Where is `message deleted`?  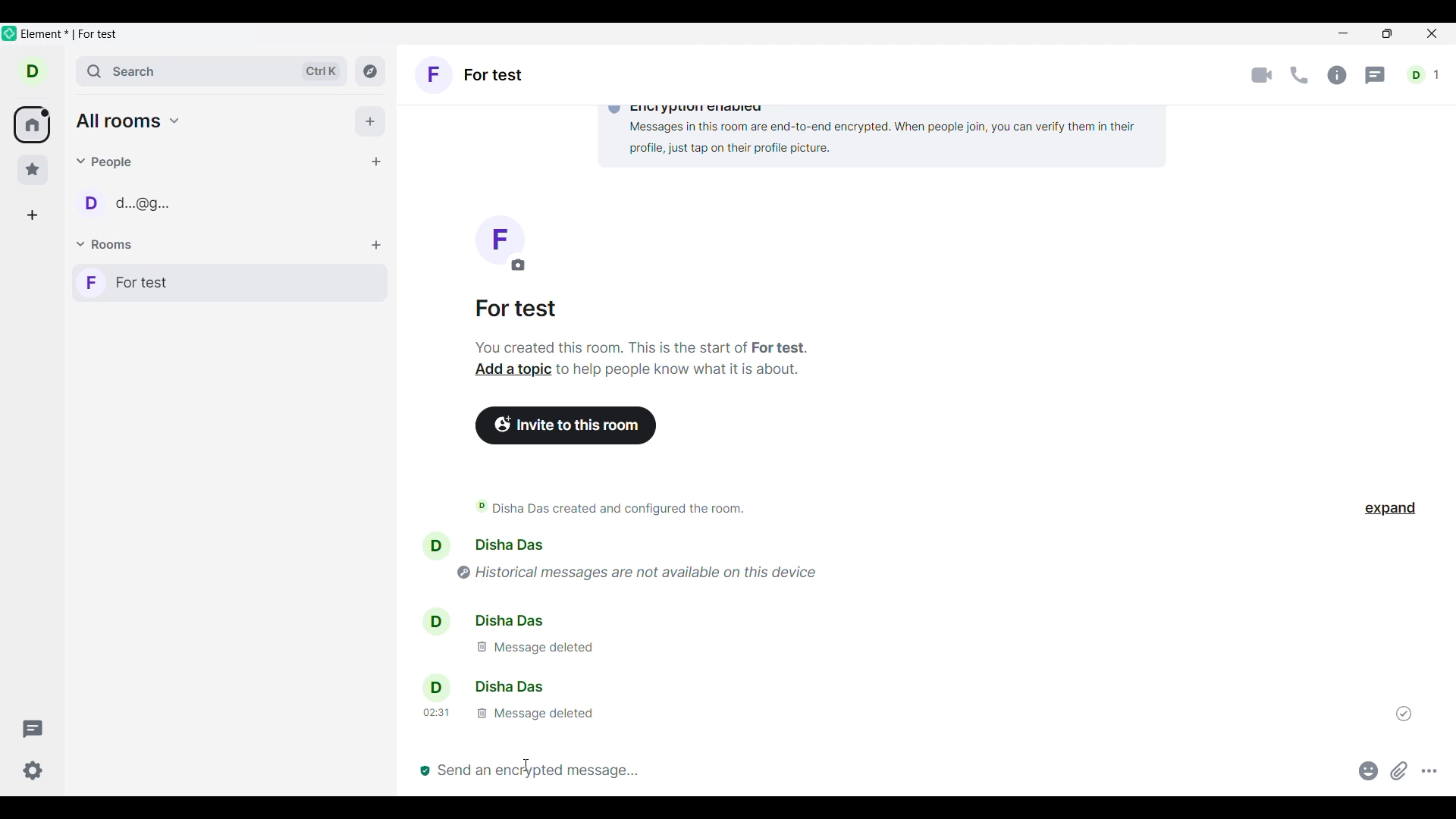 message deleted is located at coordinates (512, 715).